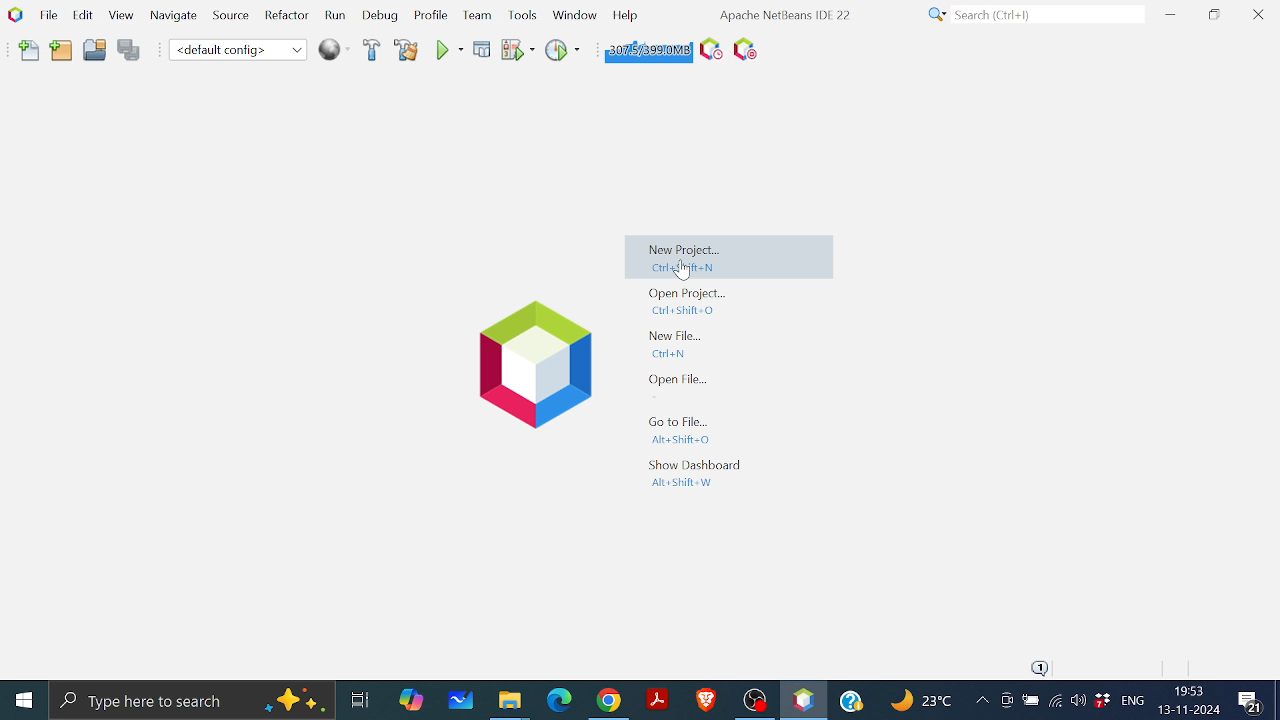  I want to click on Microsoft edge, so click(557, 700).